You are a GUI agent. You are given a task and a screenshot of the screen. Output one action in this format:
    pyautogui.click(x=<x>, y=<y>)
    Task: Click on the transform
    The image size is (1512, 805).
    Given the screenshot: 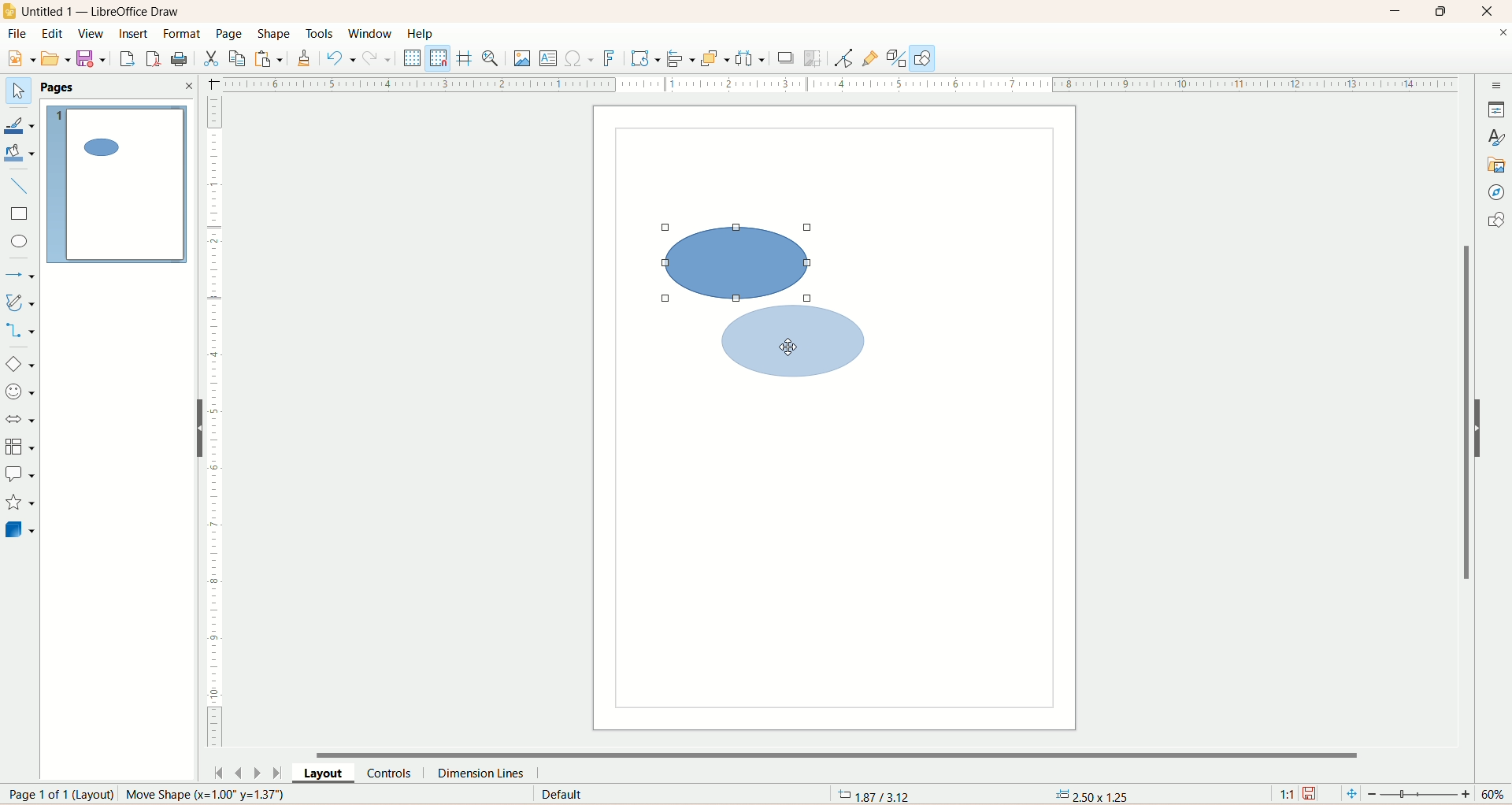 What is the action you would take?
    pyautogui.click(x=642, y=59)
    